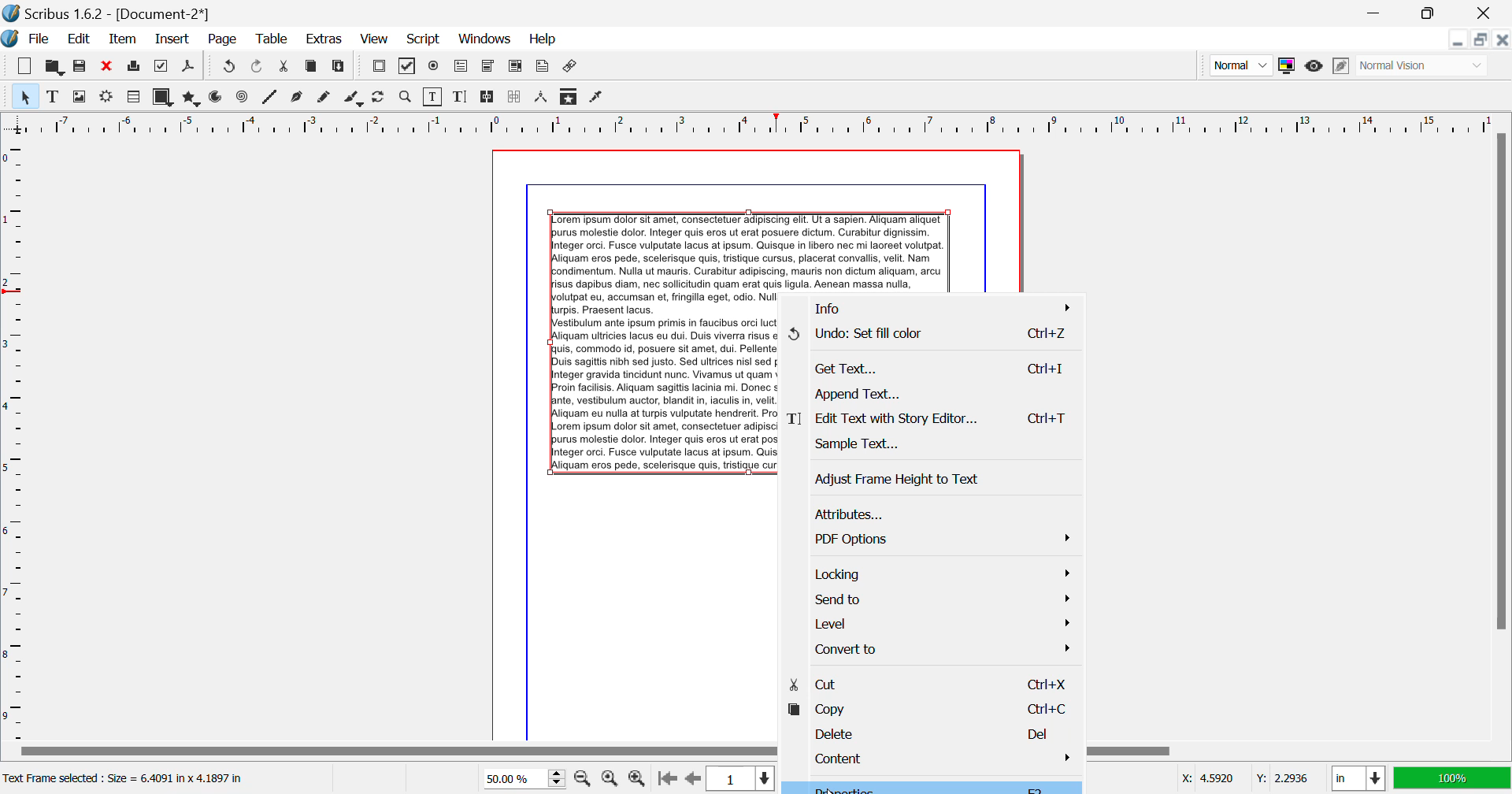  I want to click on Edit in Preview Mode, so click(1343, 66).